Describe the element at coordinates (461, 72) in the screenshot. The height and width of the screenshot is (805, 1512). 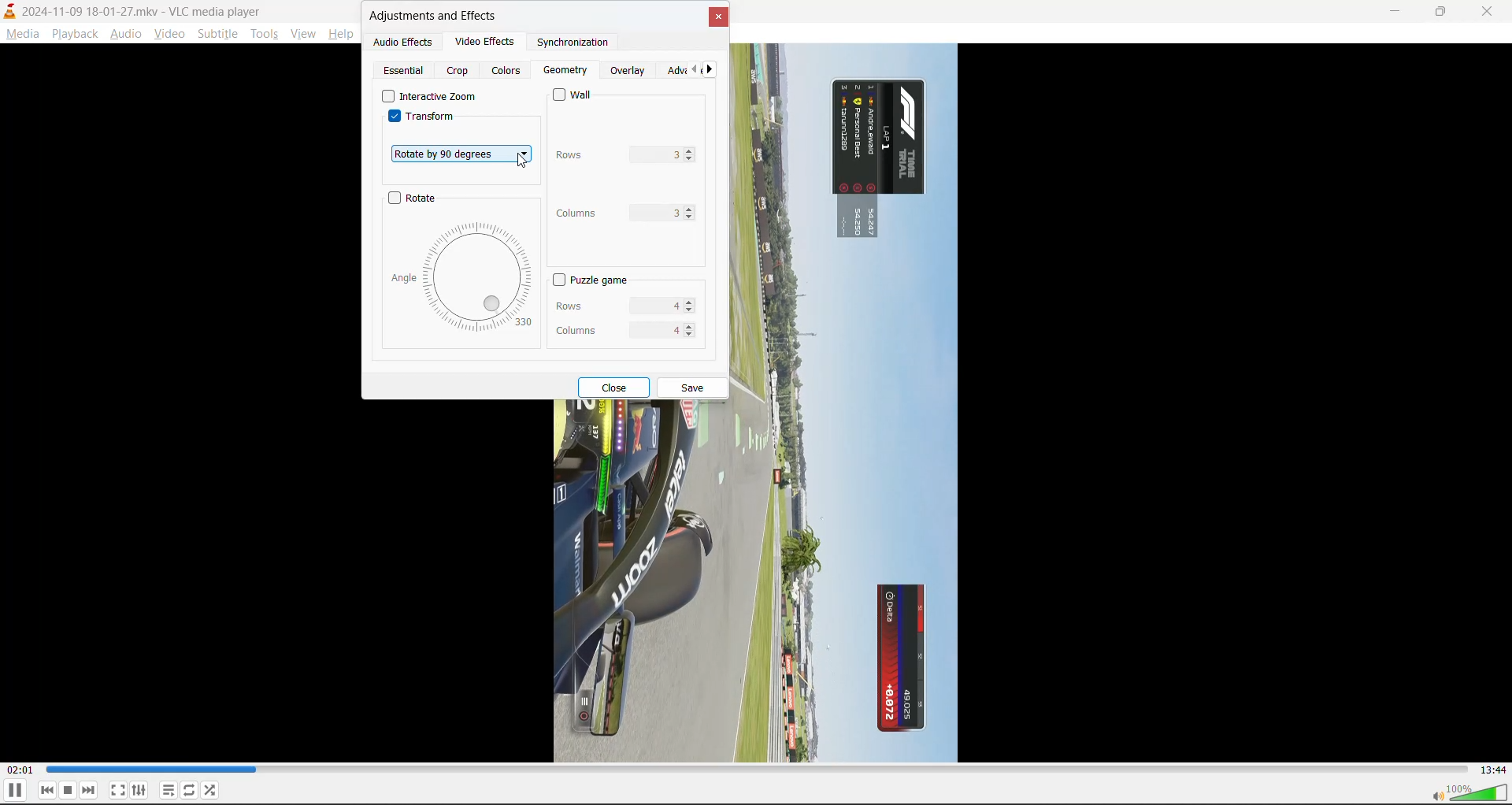
I see `crop` at that location.